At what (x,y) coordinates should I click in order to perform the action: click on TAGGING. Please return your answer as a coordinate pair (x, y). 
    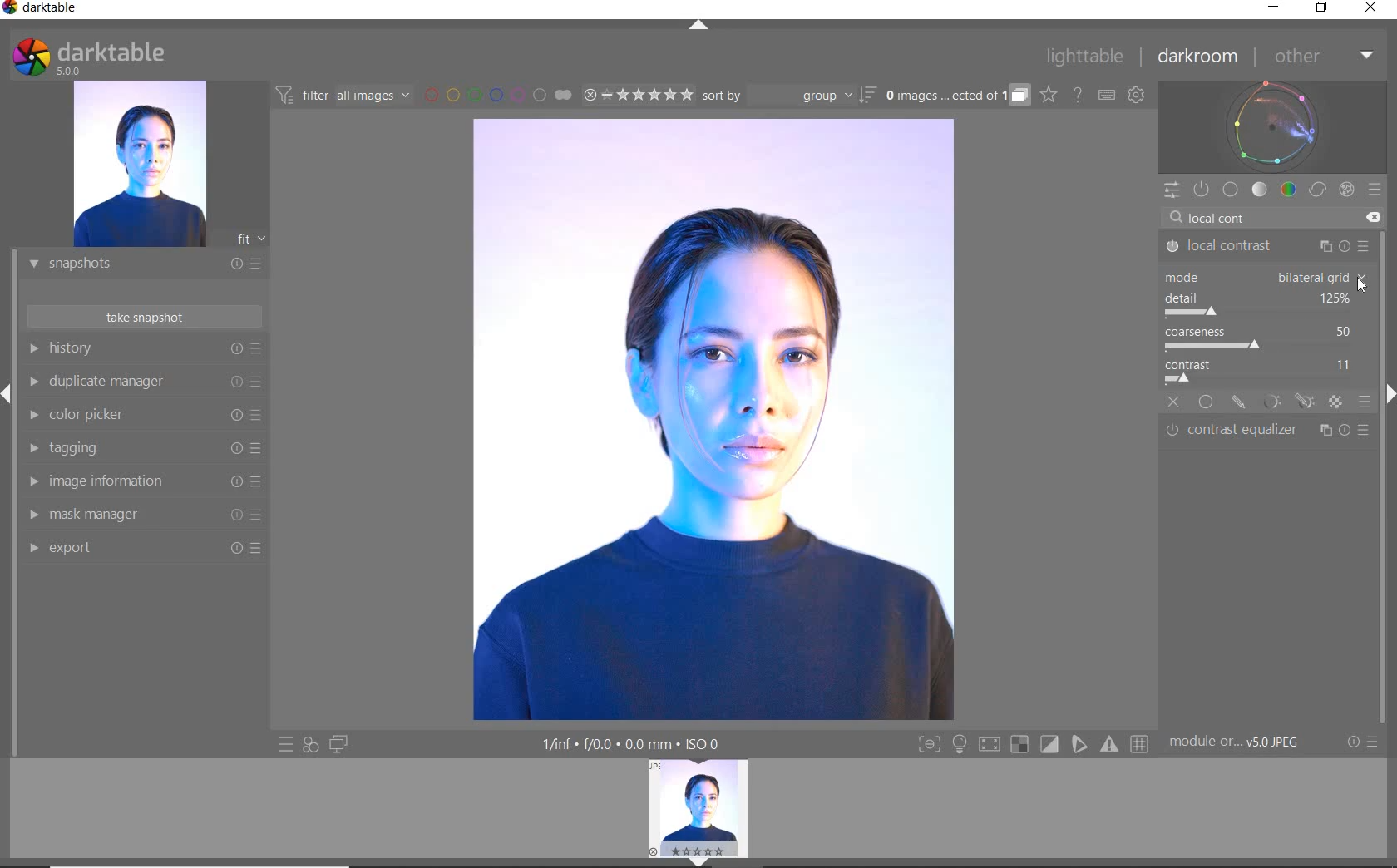
    Looking at the image, I should click on (141, 449).